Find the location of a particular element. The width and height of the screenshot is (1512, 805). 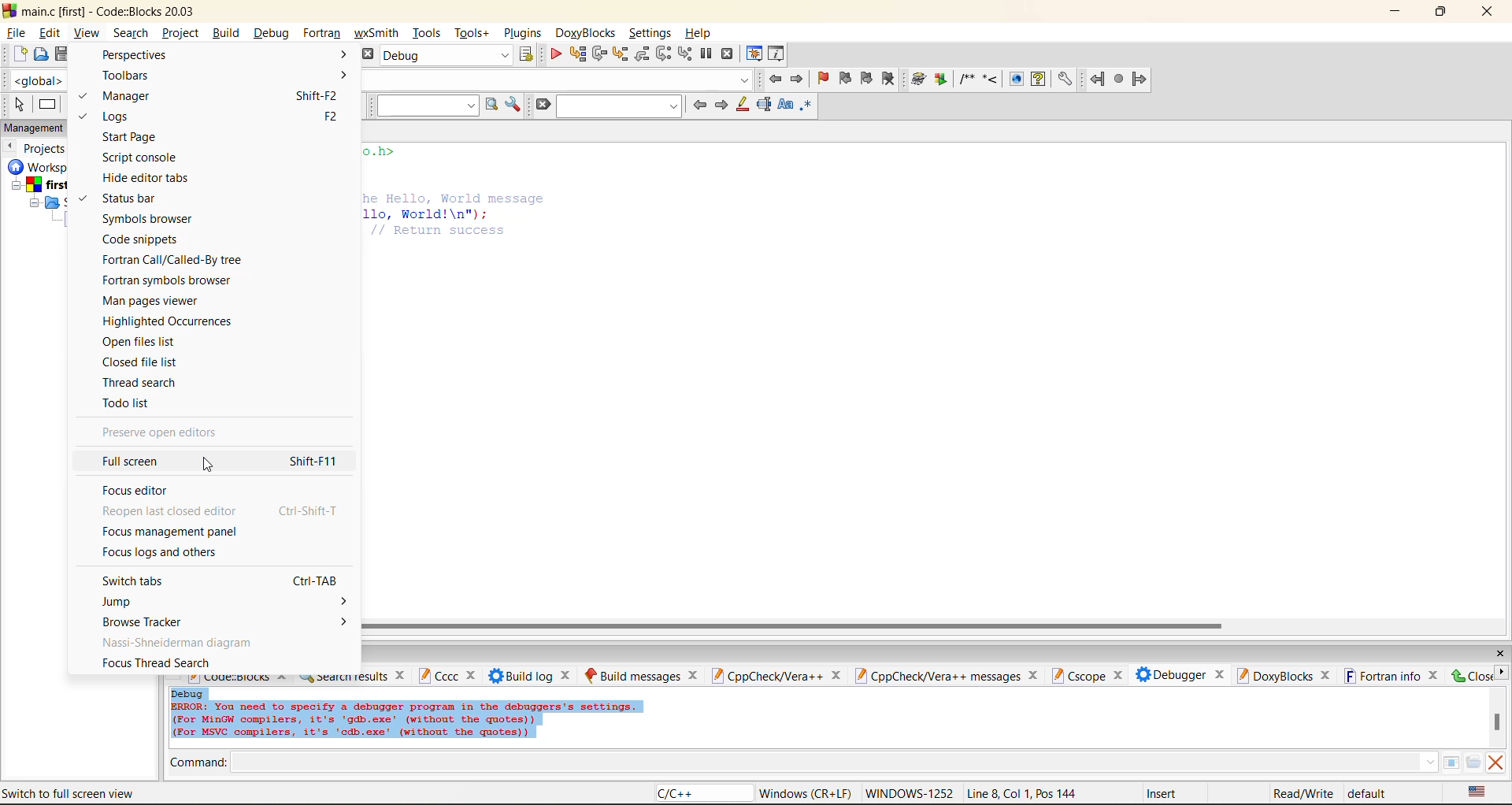

maximize is located at coordinates (1440, 12).